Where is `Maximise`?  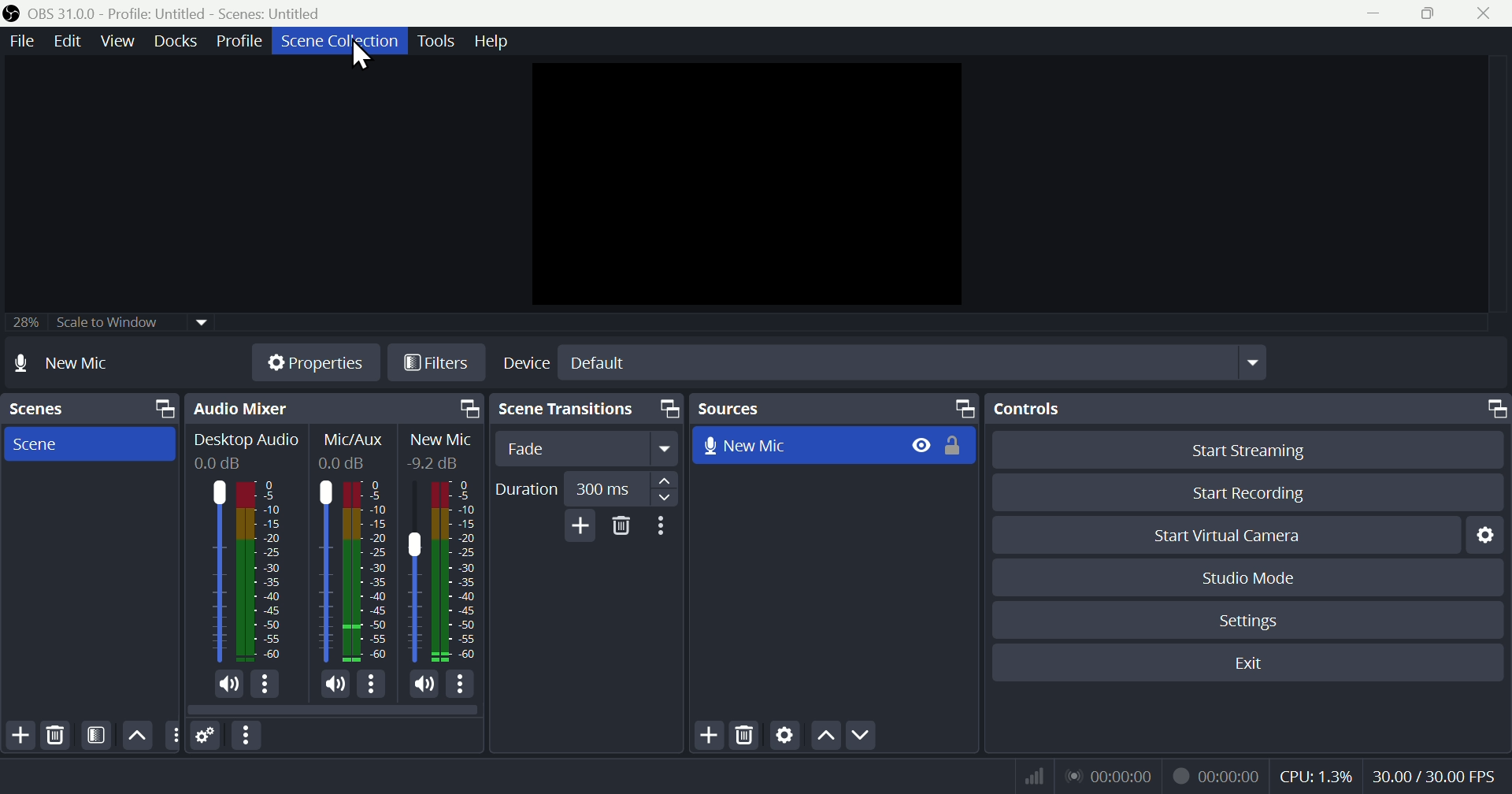 Maximise is located at coordinates (1436, 13).